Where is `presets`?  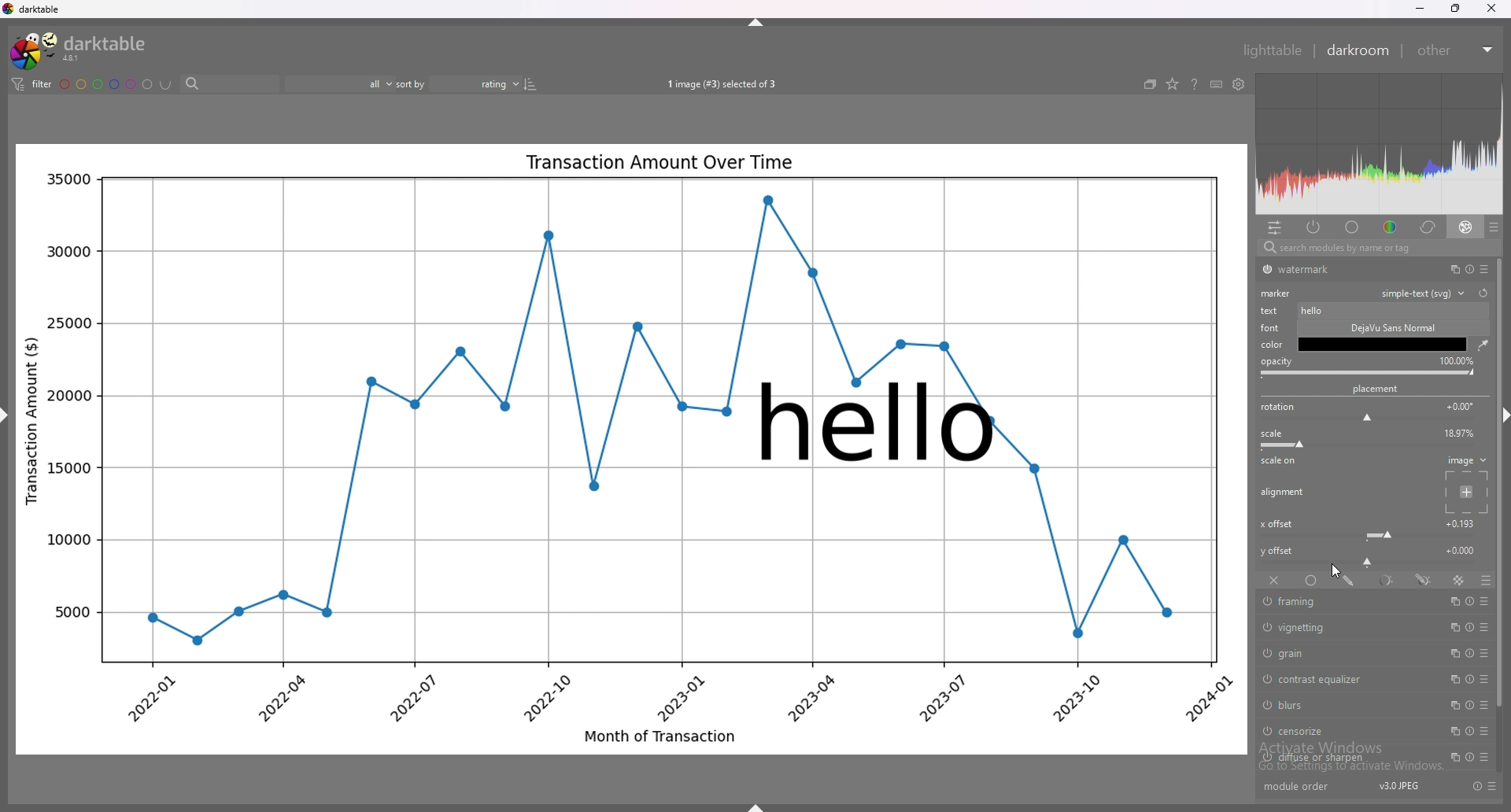 presets is located at coordinates (1492, 786).